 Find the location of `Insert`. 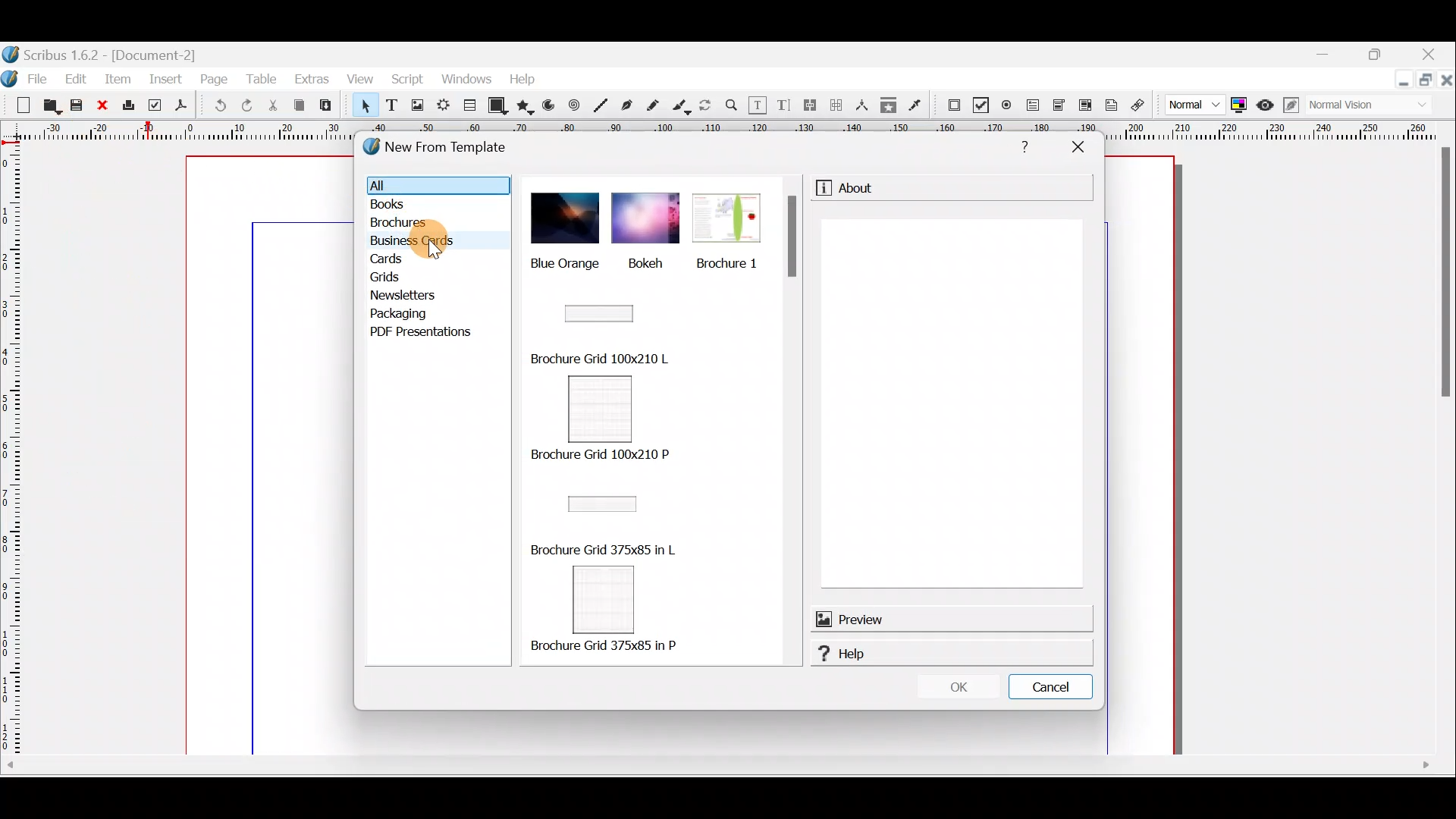

Insert is located at coordinates (168, 79).